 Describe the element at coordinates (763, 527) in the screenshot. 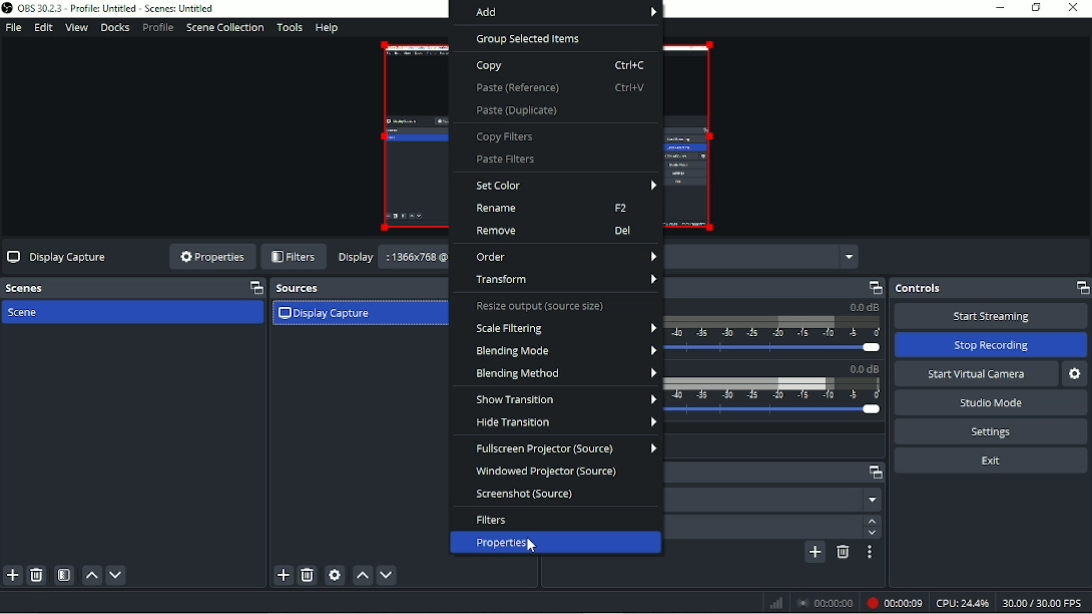

I see `300ms` at that location.